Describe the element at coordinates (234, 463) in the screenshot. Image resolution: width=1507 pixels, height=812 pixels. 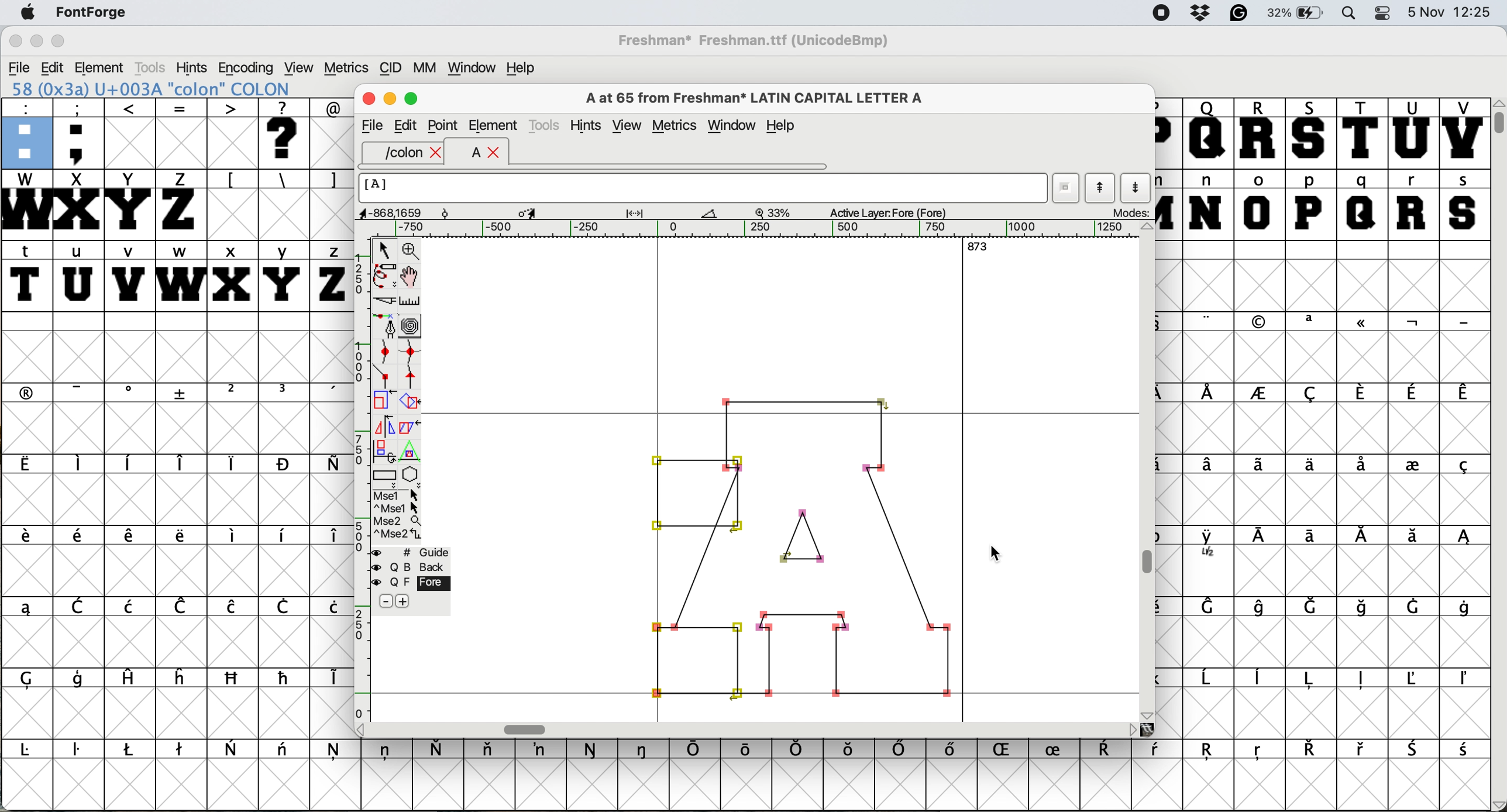
I see `symbol` at that location.